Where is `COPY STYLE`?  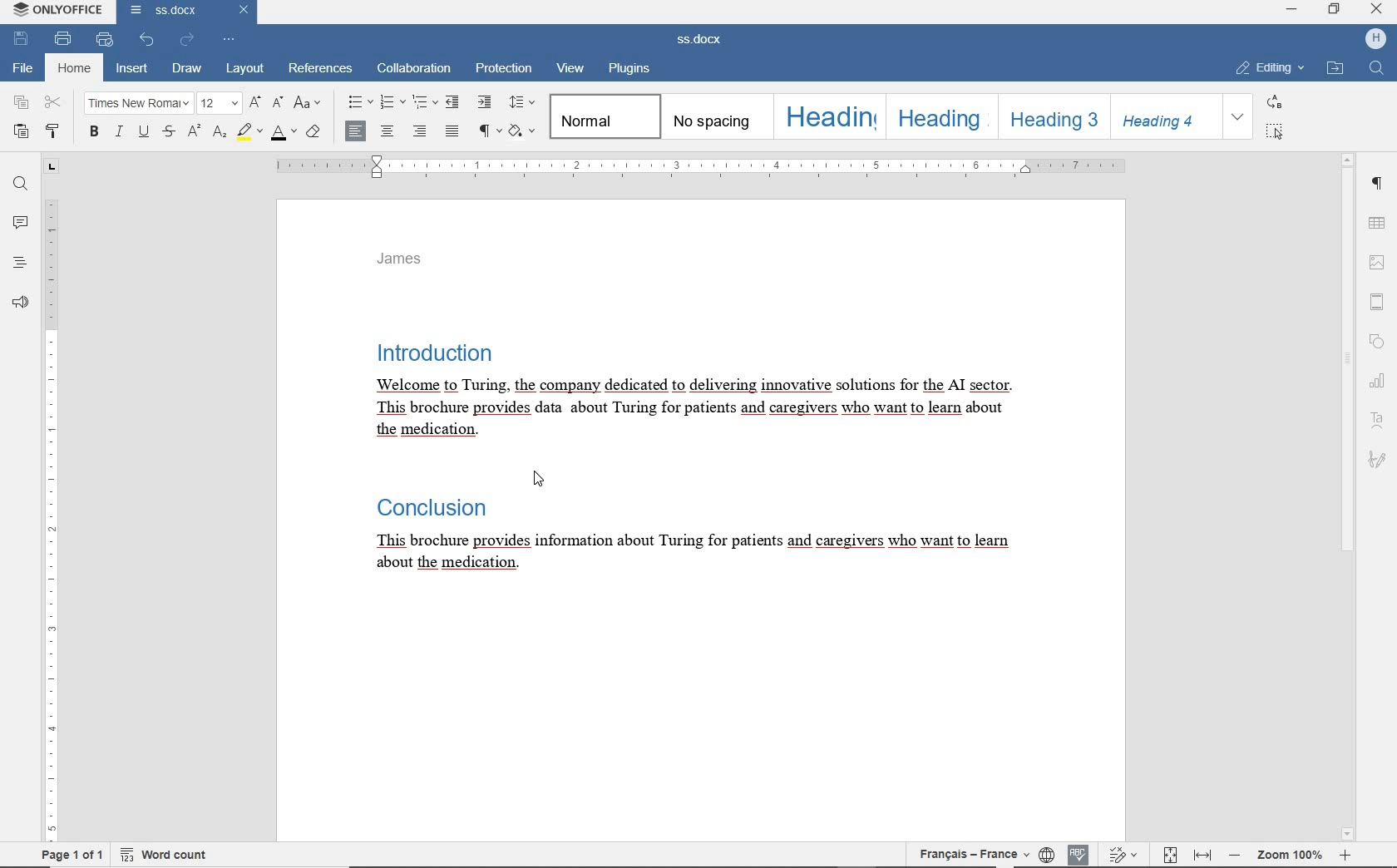 COPY STYLE is located at coordinates (52, 131).